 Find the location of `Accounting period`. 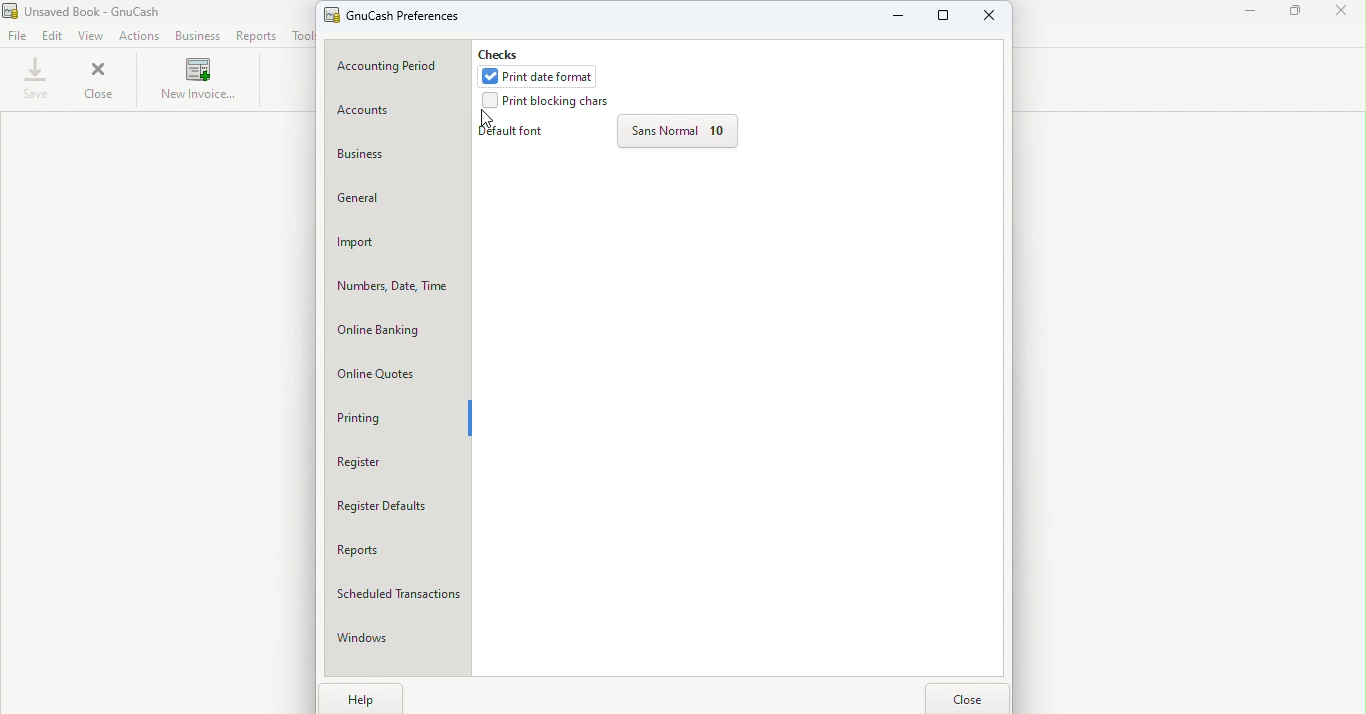

Accounting period is located at coordinates (396, 66).